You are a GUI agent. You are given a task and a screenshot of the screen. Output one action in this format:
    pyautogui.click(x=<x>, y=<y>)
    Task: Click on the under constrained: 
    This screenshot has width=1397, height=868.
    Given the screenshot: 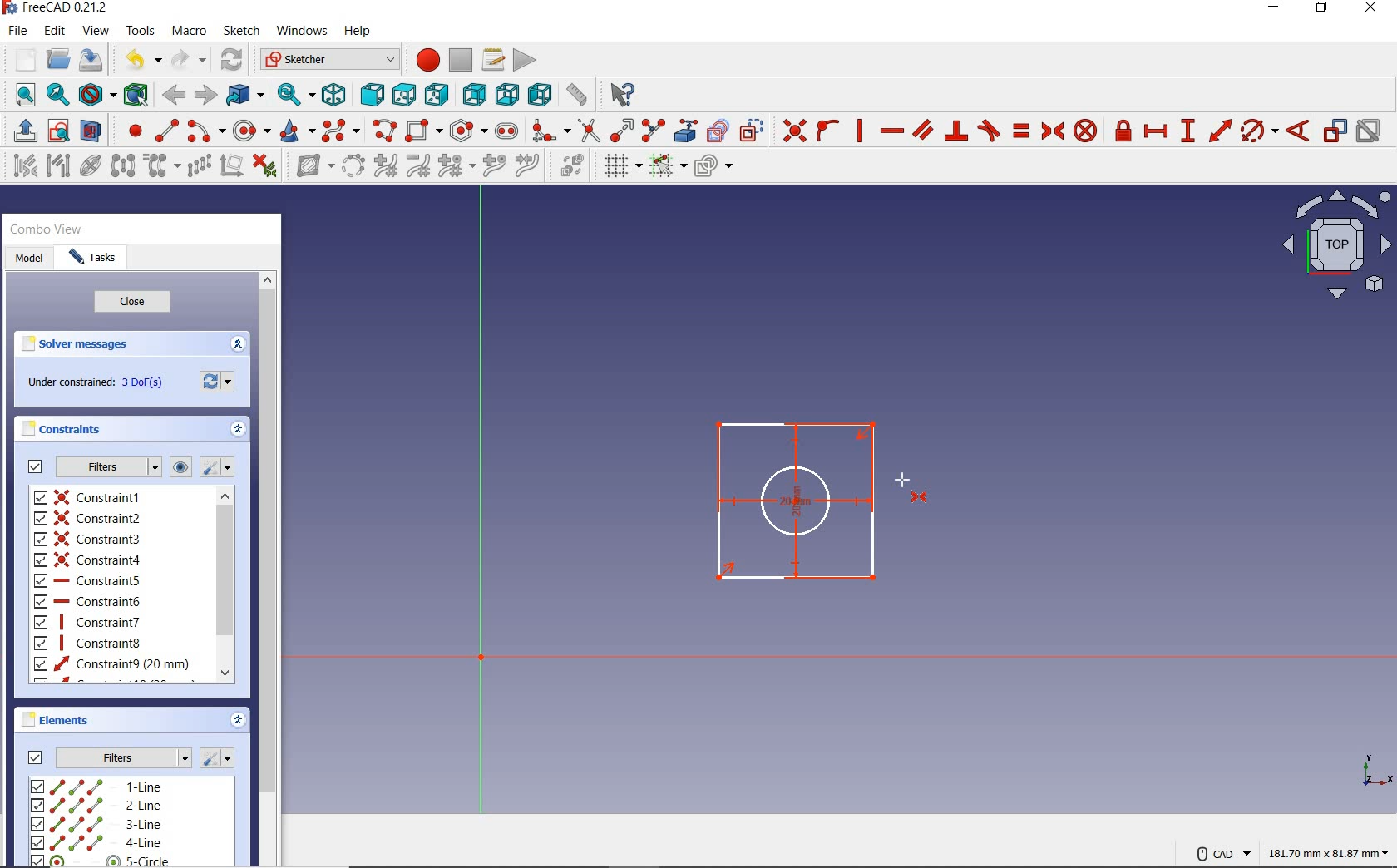 What is the action you would take?
    pyautogui.click(x=69, y=380)
    